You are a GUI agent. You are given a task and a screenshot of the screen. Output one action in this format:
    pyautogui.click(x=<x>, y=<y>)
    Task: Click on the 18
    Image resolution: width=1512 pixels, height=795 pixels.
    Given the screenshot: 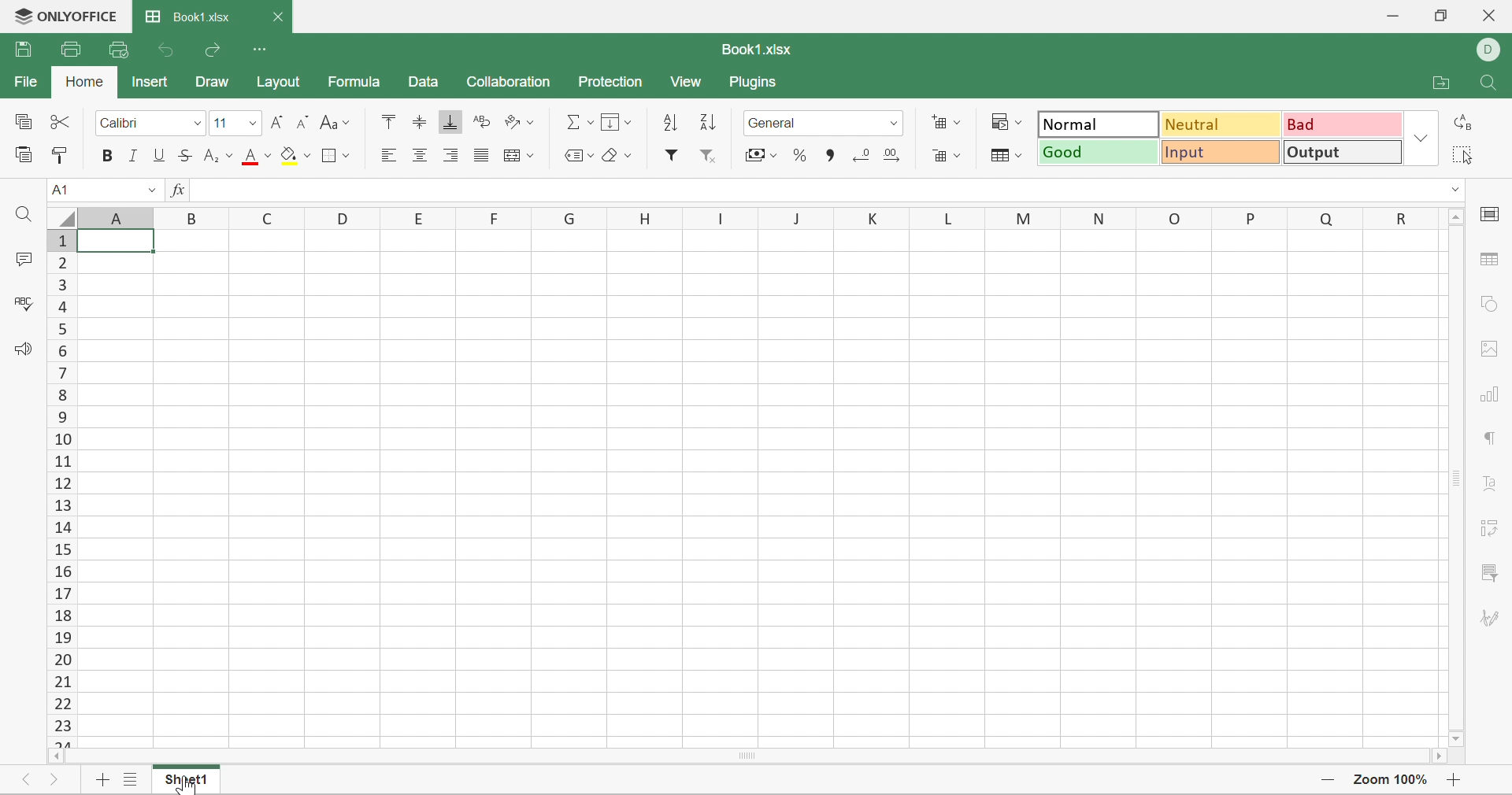 What is the action you would take?
    pyautogui.click(x=62, y=615)
    